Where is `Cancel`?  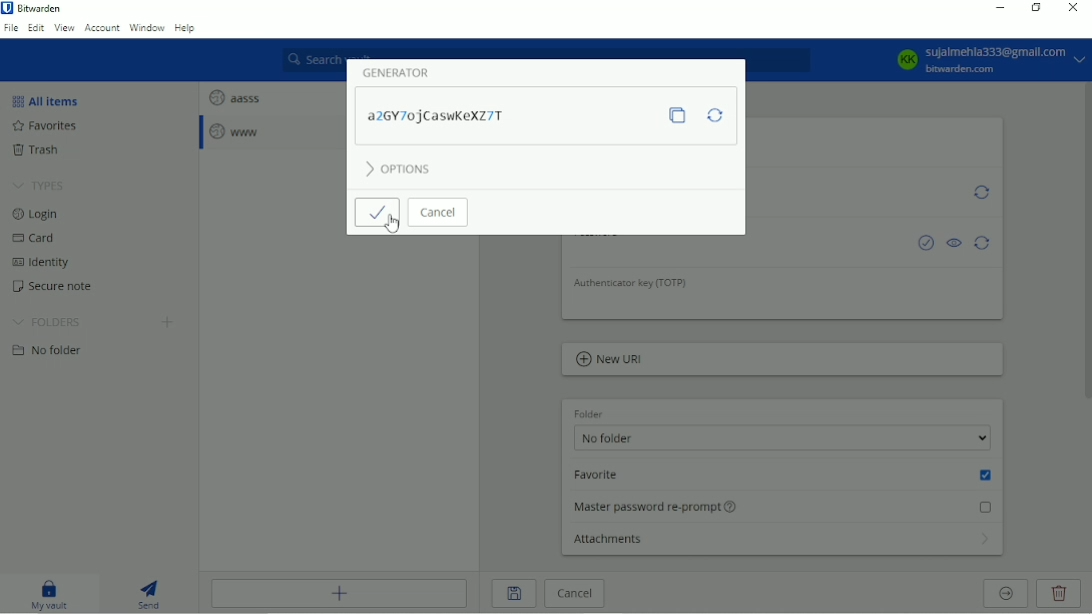 Cancel is located at coordinates (439, 212).